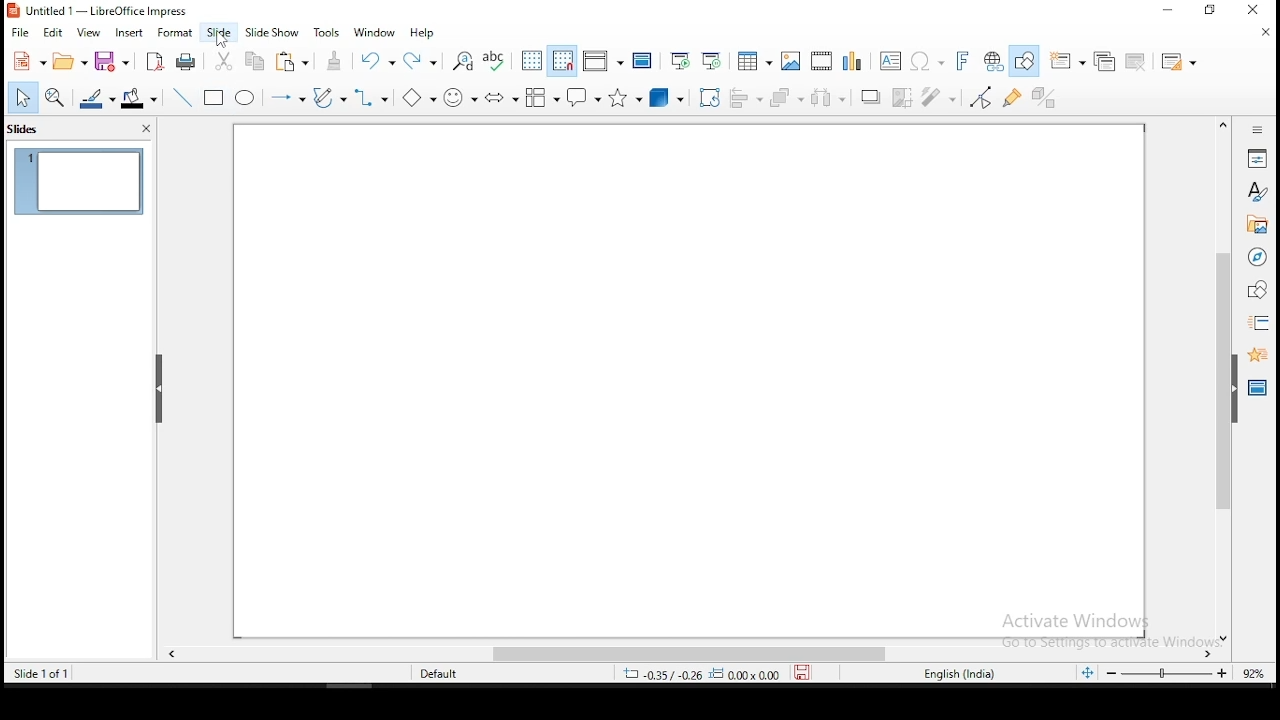 The height and width of the screenshot is (720, 1280). What do you see at coordinates (1258, 290) in the screenshot?
I see `shapes` at bounding box center [1258, 290].